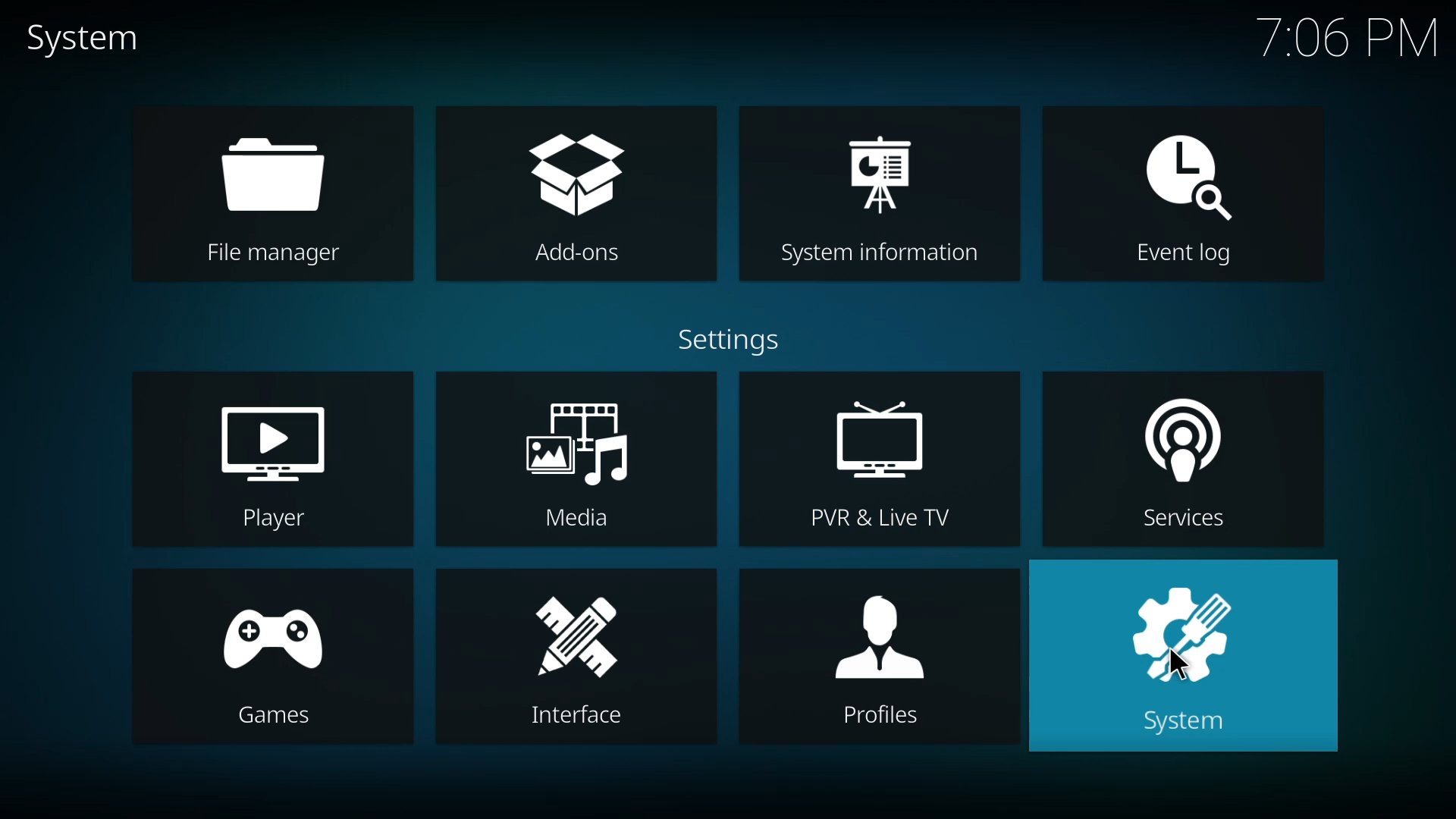  Describe the element at coordinates (1177, 187) in the screenshot. I see `event log` at that location.